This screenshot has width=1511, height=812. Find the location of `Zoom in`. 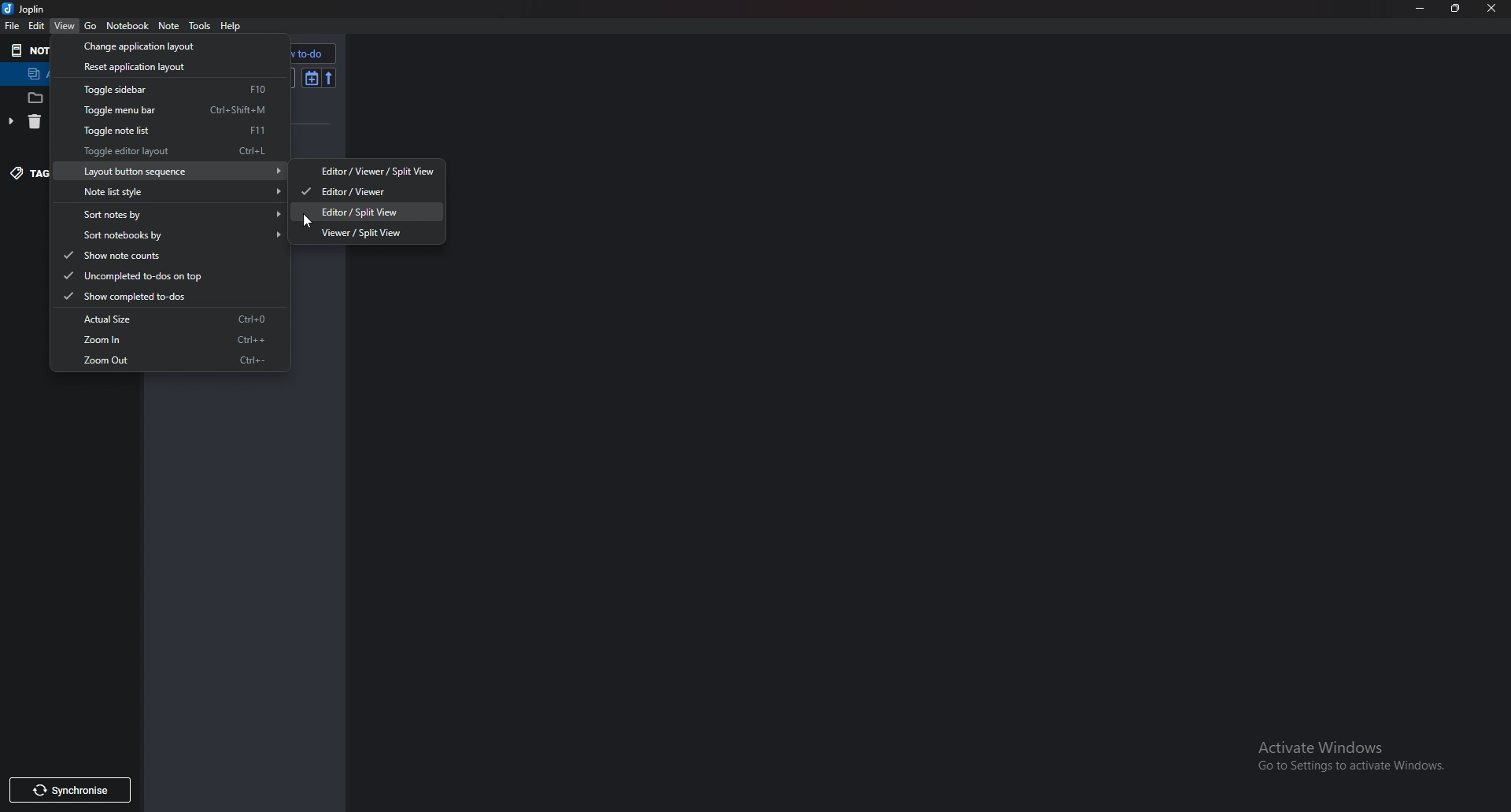

Zoom in is located at coordinates (172, 340).